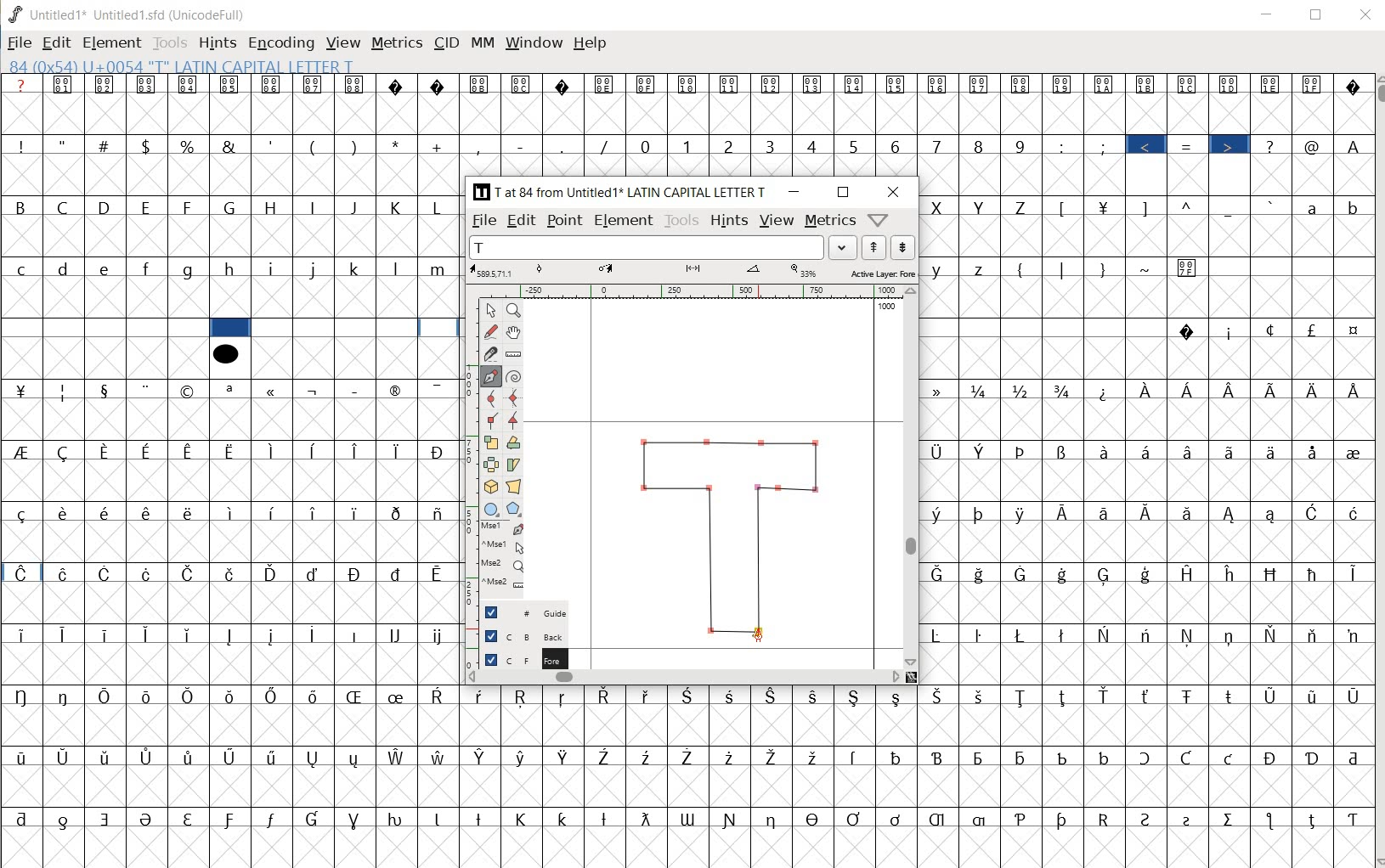  Describe the element at coordinates (856, 756) in the screenshot. I see `Symbol` at that location.